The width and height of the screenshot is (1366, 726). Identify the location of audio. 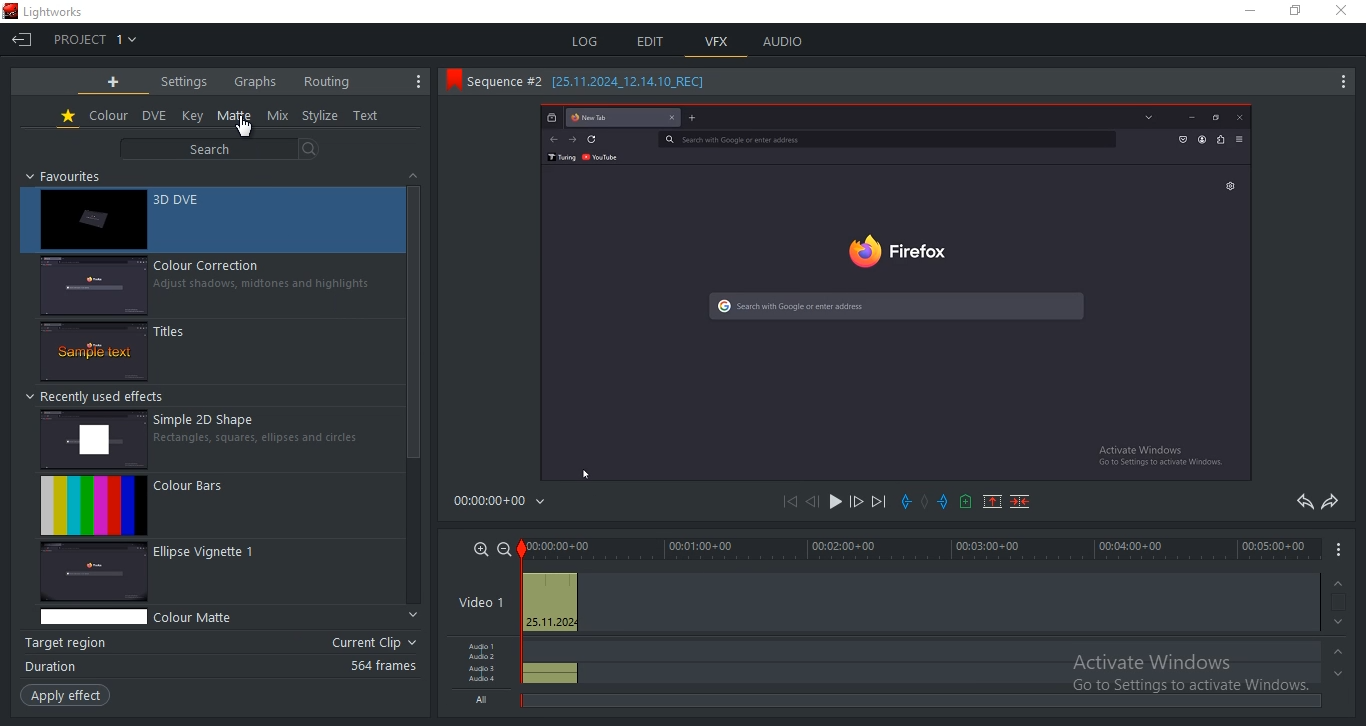
(548, 662).